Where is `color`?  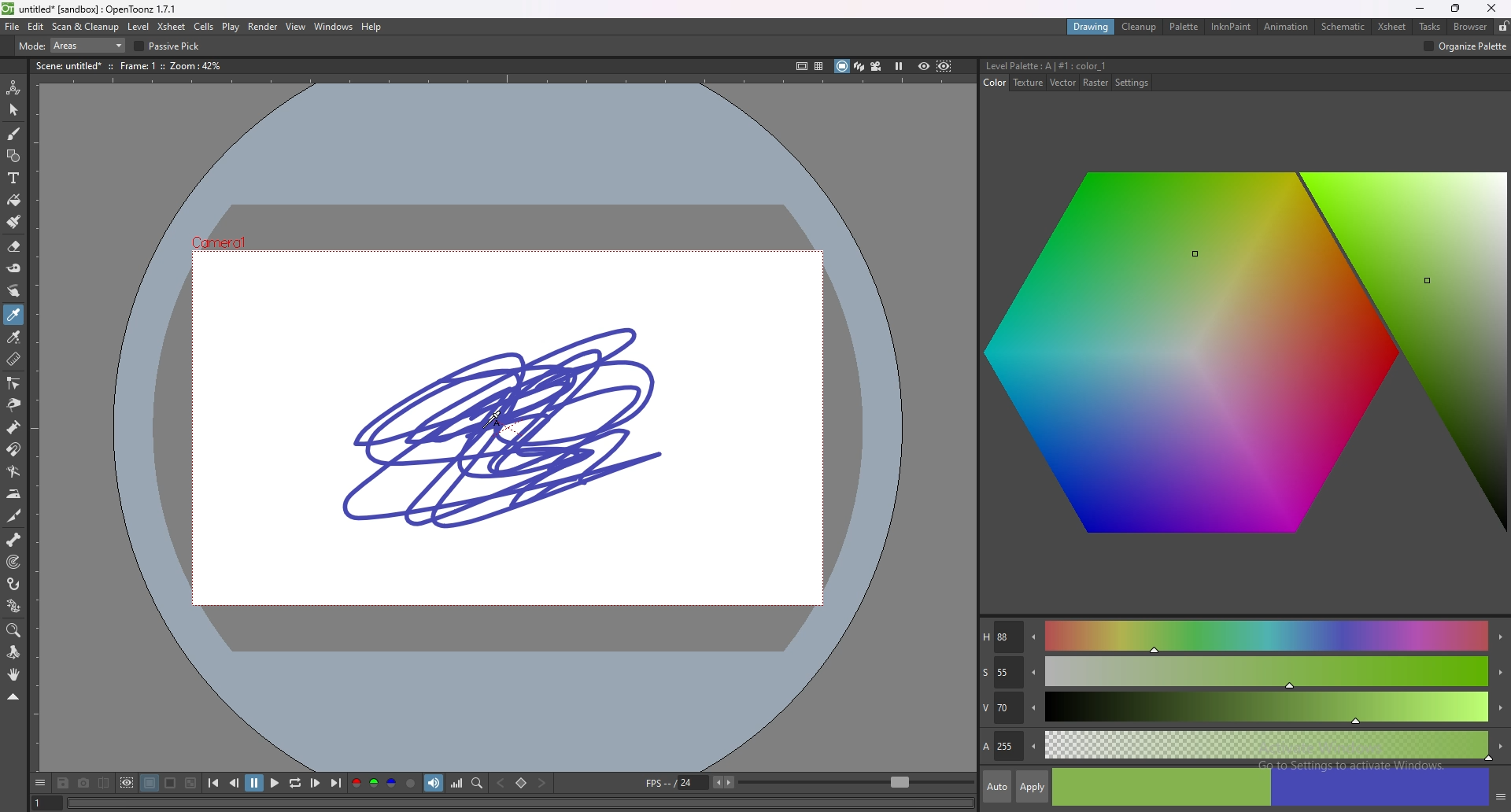
color is located at coordinates (996, 83).